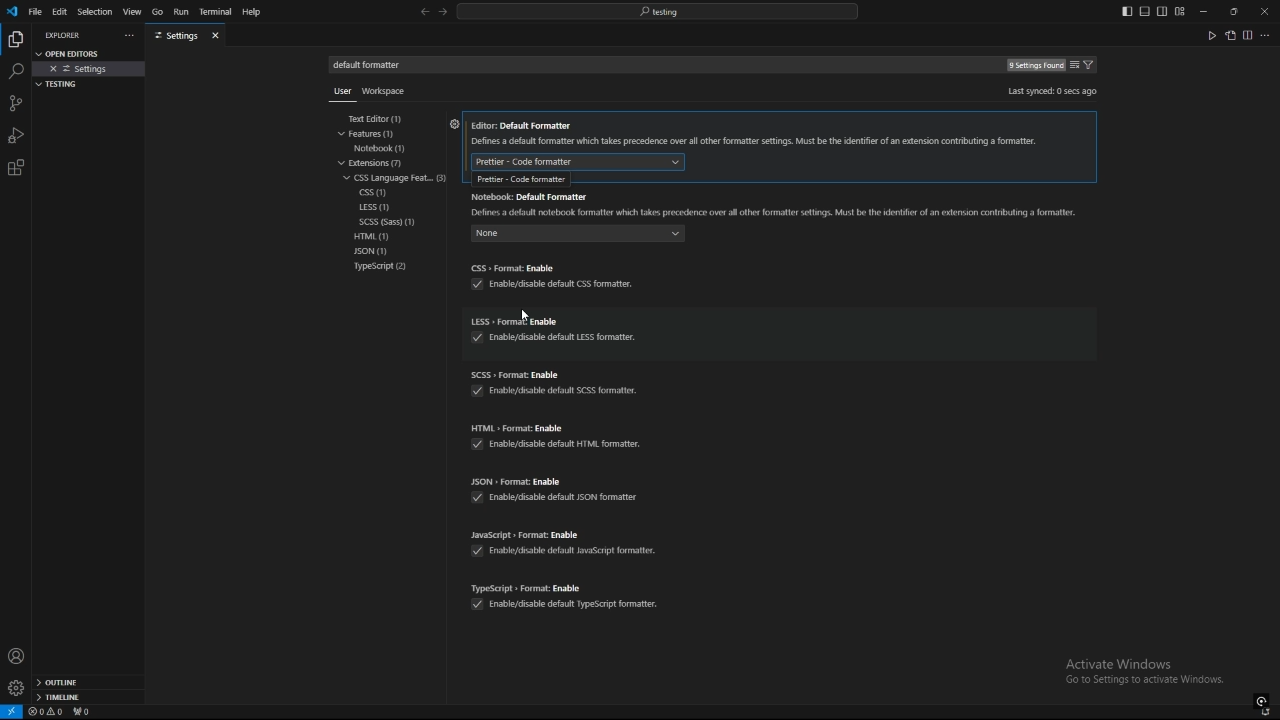  Describe the element at coordinates (257, 12) in the screenshot. I see `help` at that location.